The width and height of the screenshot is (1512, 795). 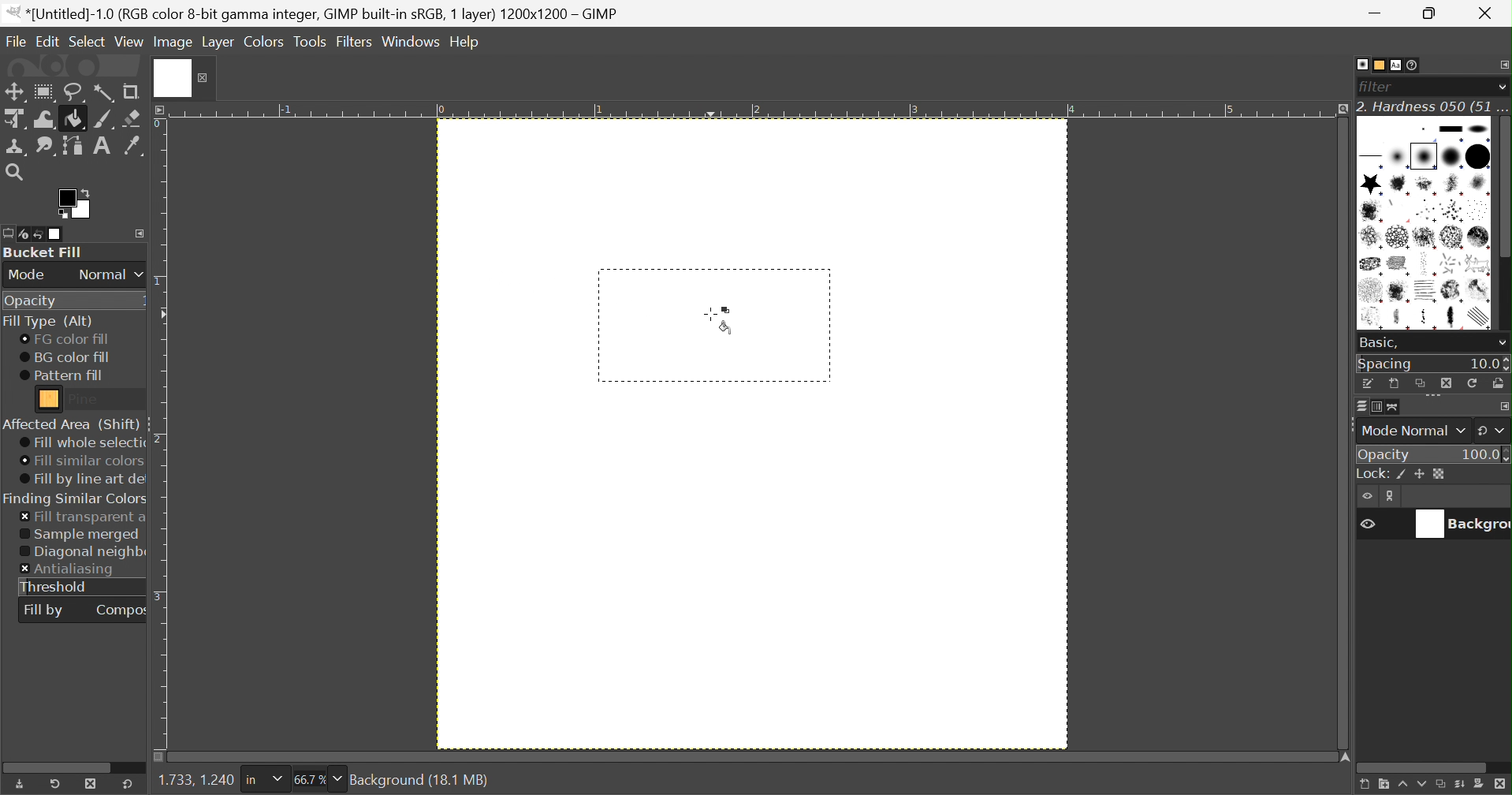 I want to click on Chalk 02, so click(x=1451, y=237).